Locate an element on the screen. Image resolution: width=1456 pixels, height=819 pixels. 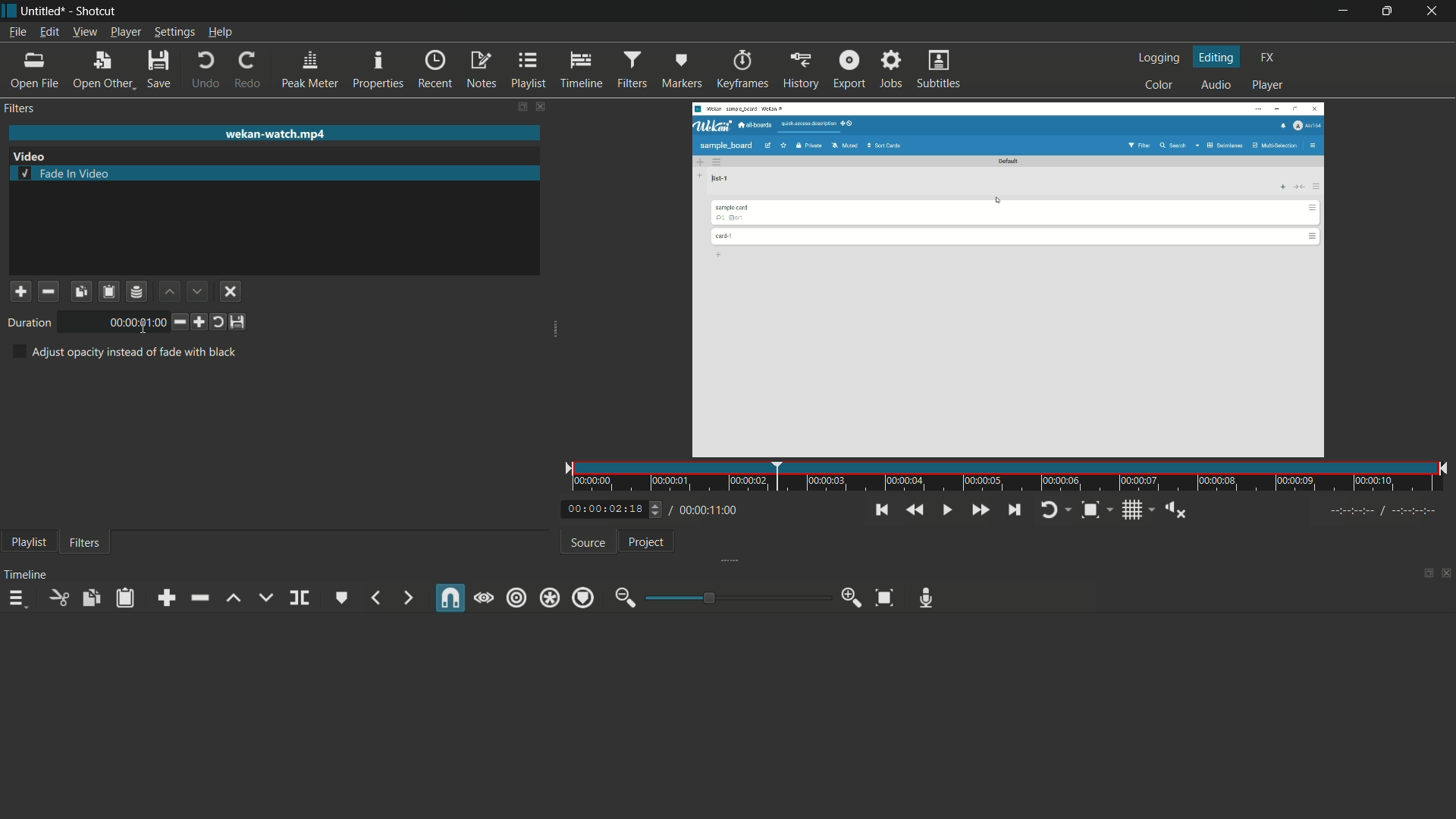
peak meter is located at coordinates (310, 68).